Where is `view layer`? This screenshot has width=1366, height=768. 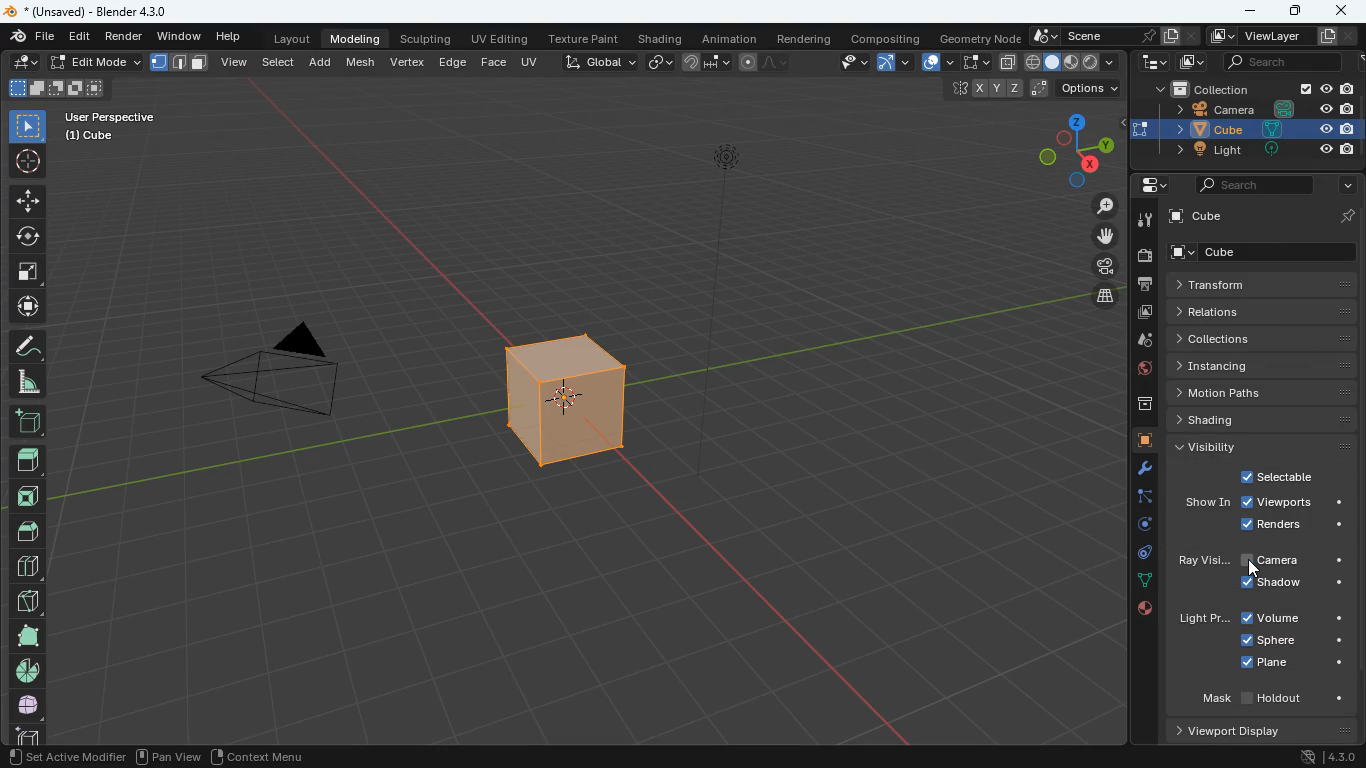 view layer is located at coordinates (1273, 35).